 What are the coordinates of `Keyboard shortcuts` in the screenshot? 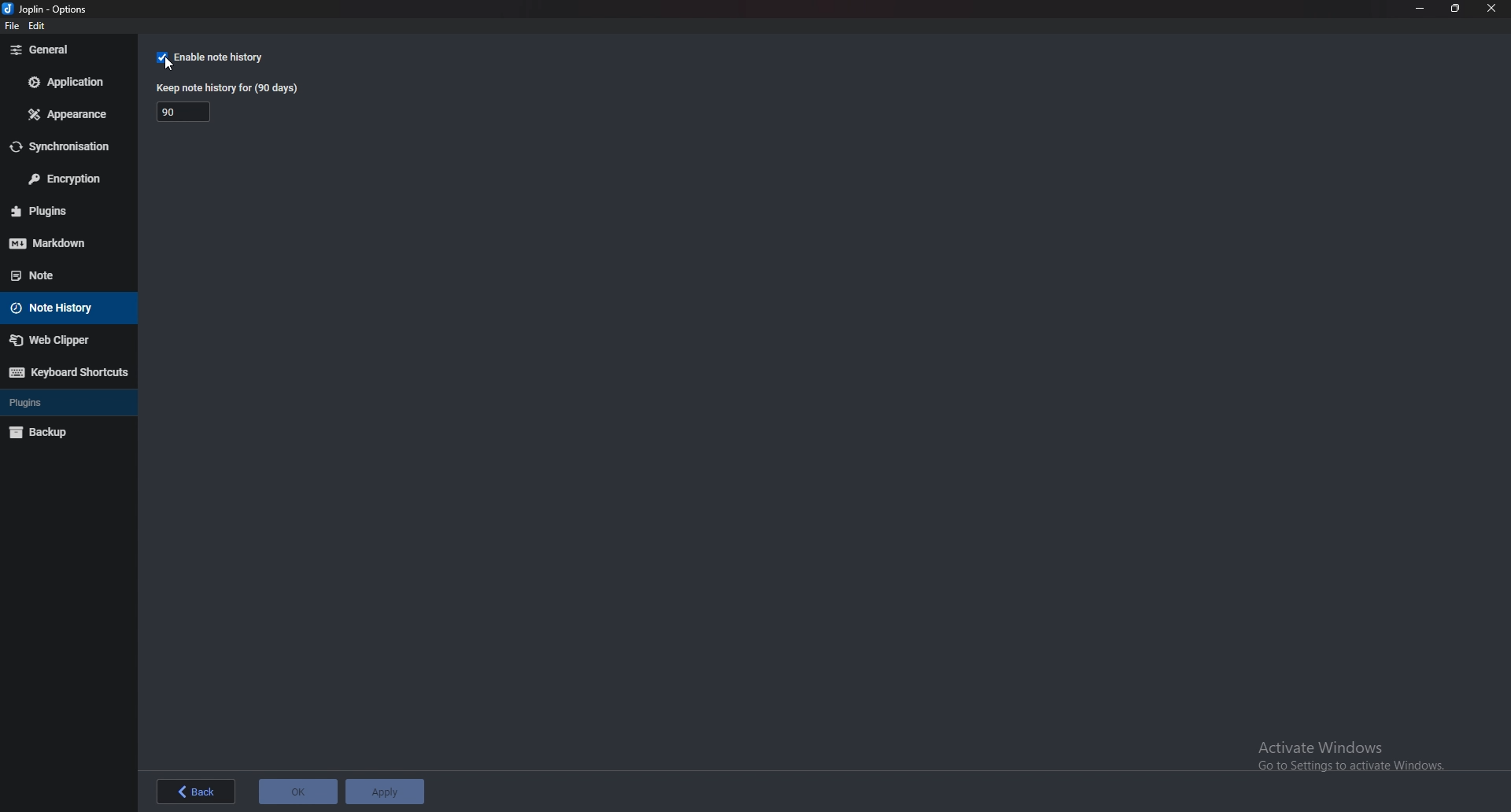 It's located at (66, 372).